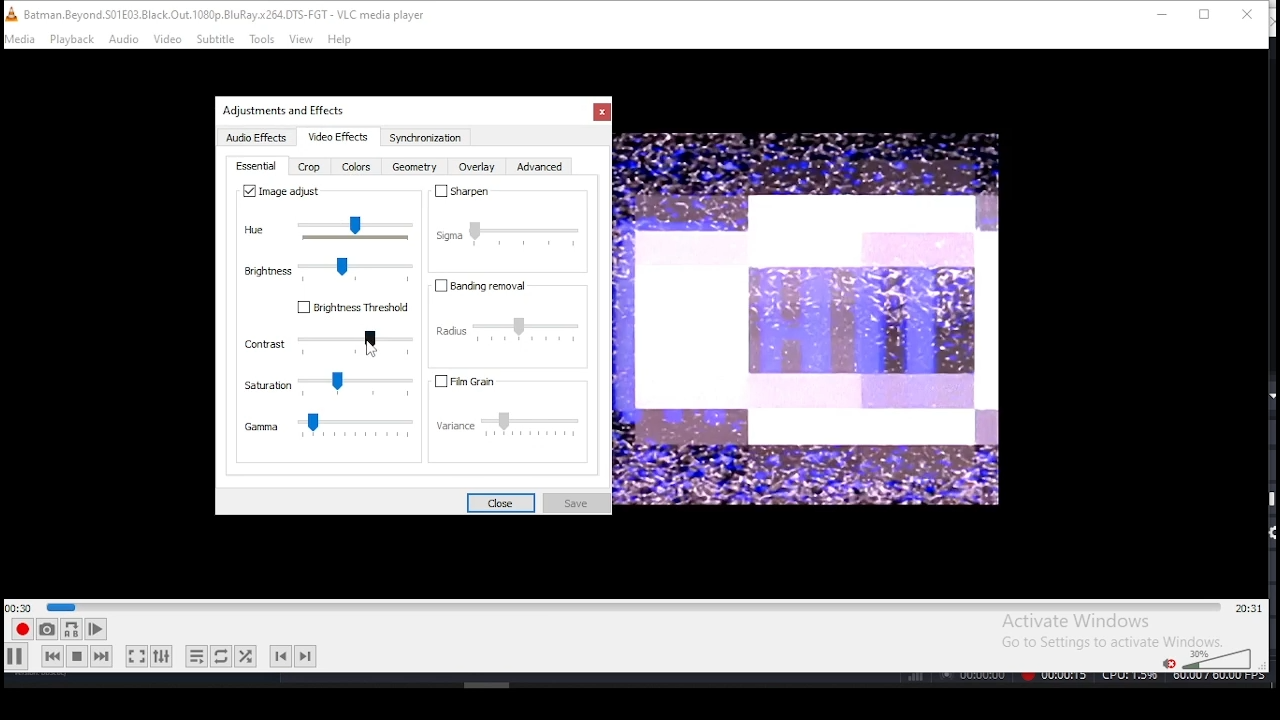 This screenshot has width=1280, height=720. Describe the element at coordinates (44, 632) in the screenshot. I see `take snapshot` at that location.